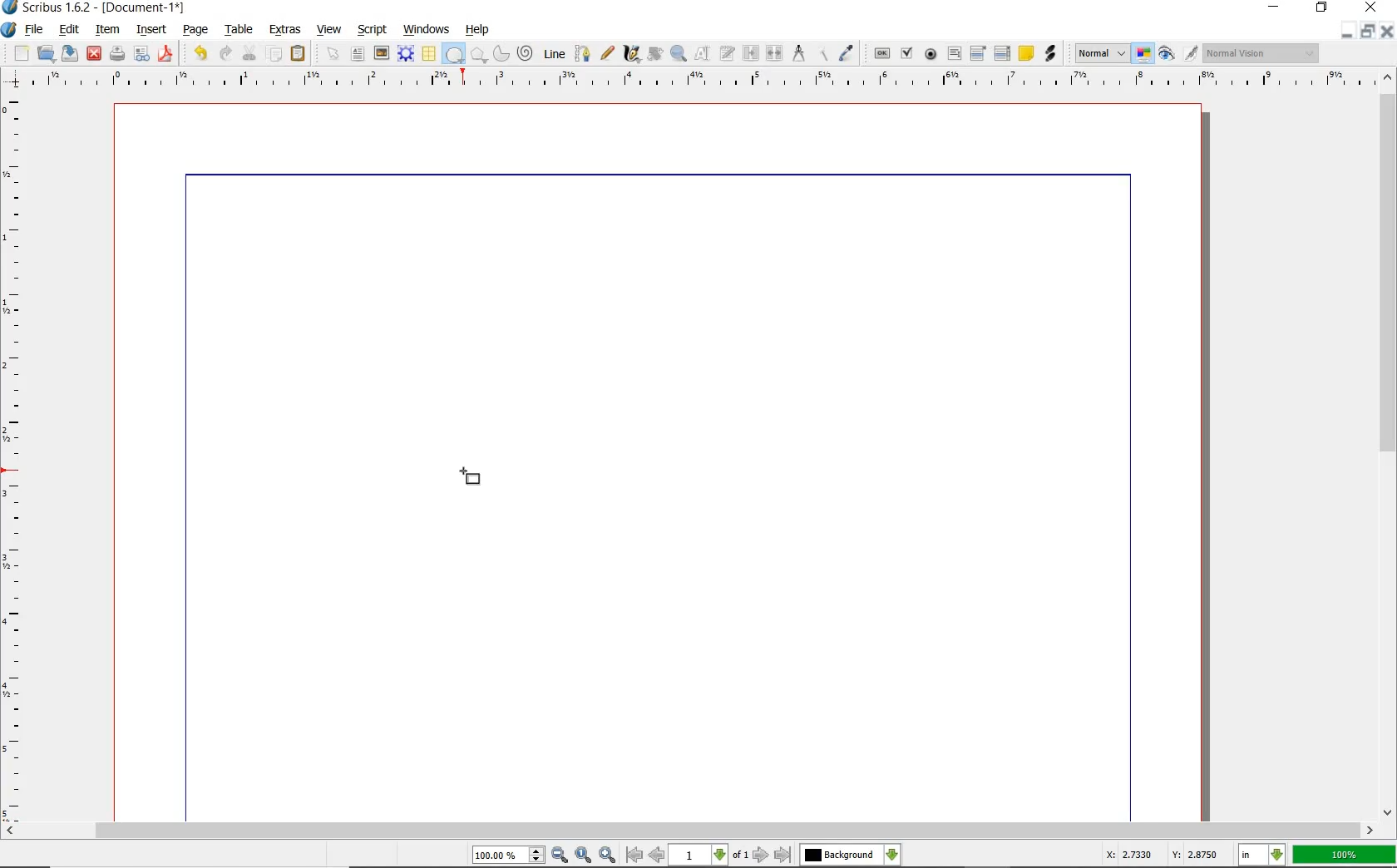 This screenshot has width=1397, height=868. I want to click on LINE, so click(555, 54).